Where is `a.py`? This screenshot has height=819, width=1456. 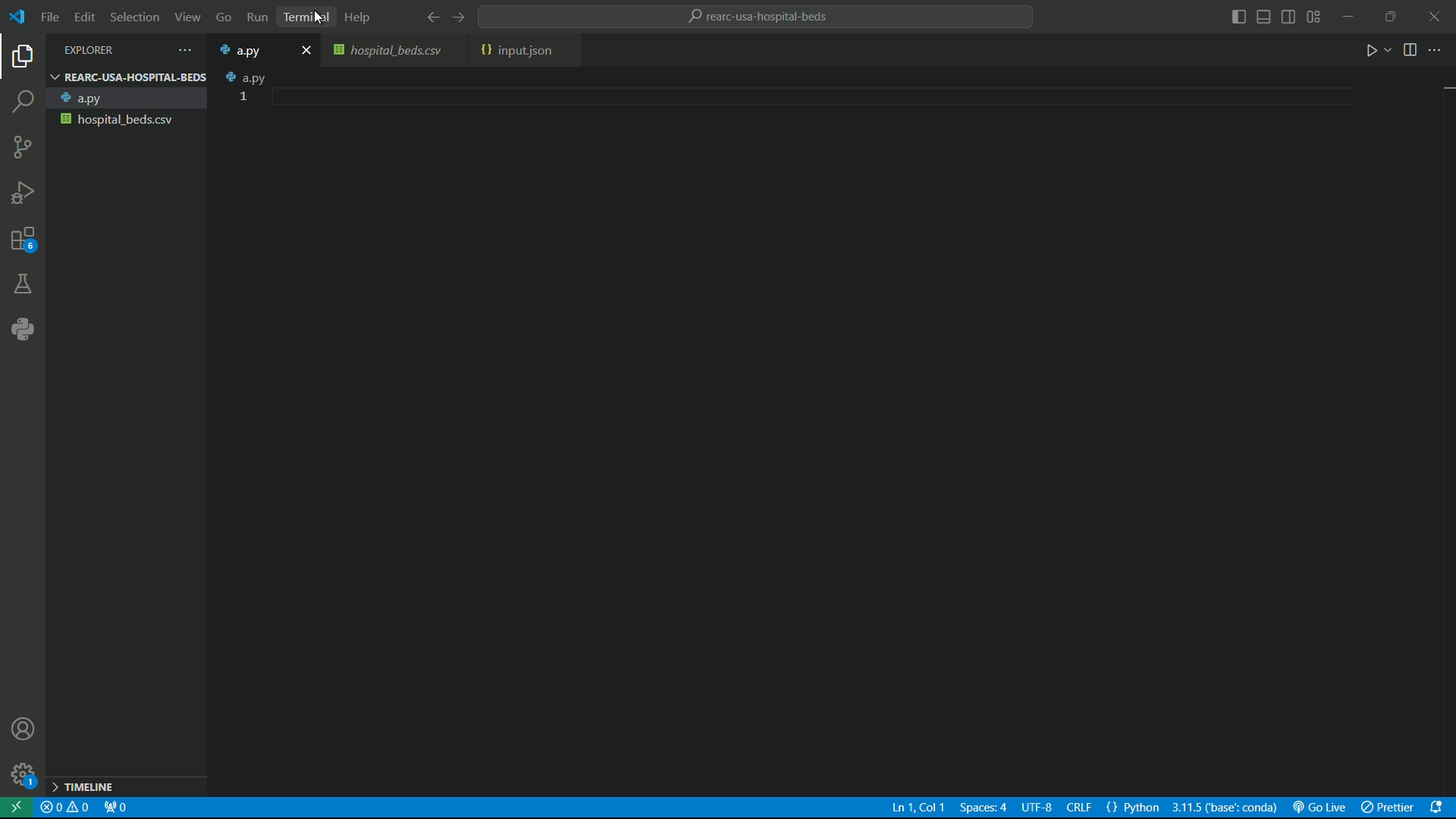 a.py is located at coordinates (249, 51).